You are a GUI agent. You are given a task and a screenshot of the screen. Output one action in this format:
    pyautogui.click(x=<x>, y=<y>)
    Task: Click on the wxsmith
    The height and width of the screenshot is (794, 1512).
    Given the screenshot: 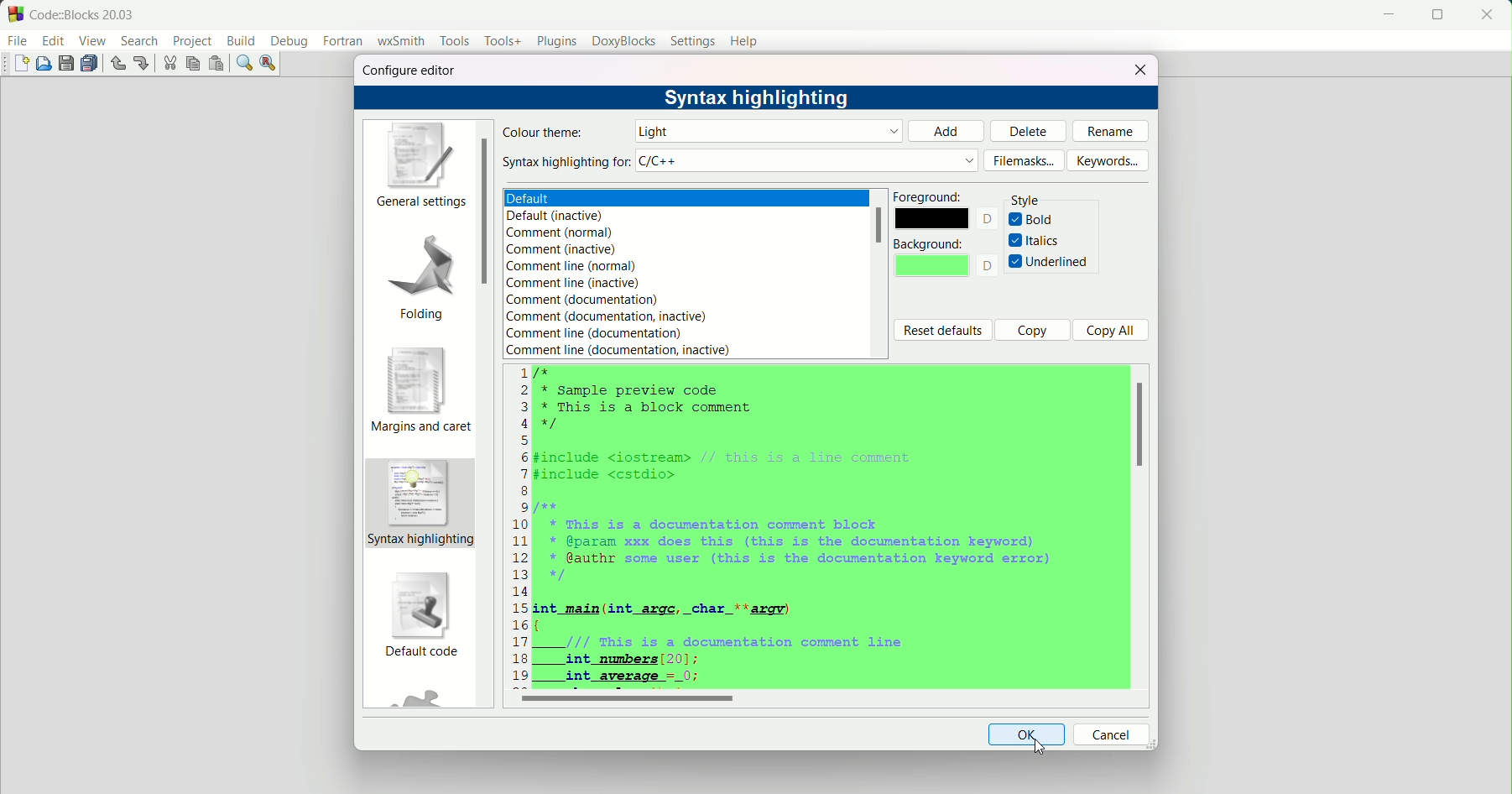 What is the action you would take?
    pyautogui.click(x=400, y=43)
    